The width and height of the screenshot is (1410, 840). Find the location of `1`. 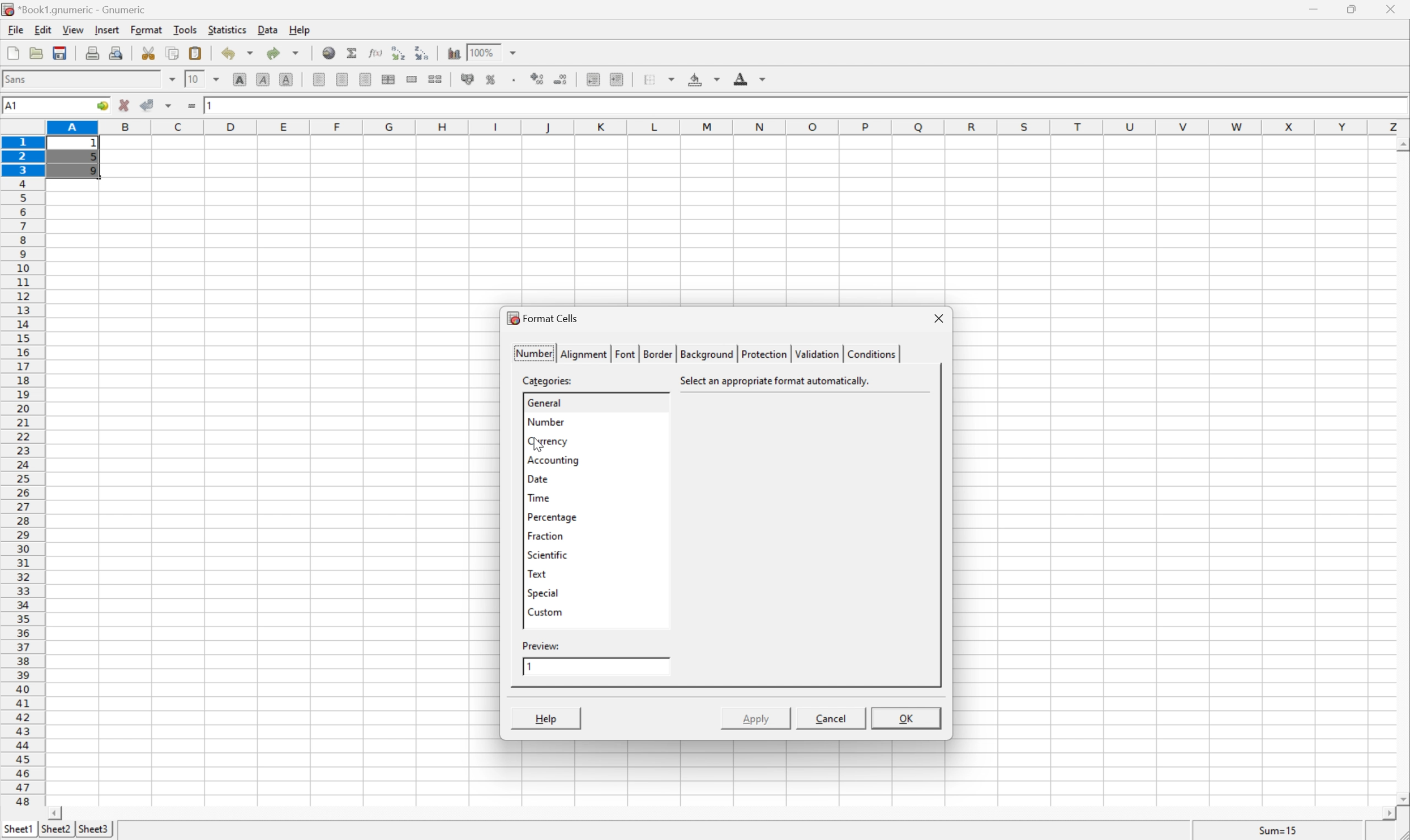

1 is located at coordinates (530, 666).